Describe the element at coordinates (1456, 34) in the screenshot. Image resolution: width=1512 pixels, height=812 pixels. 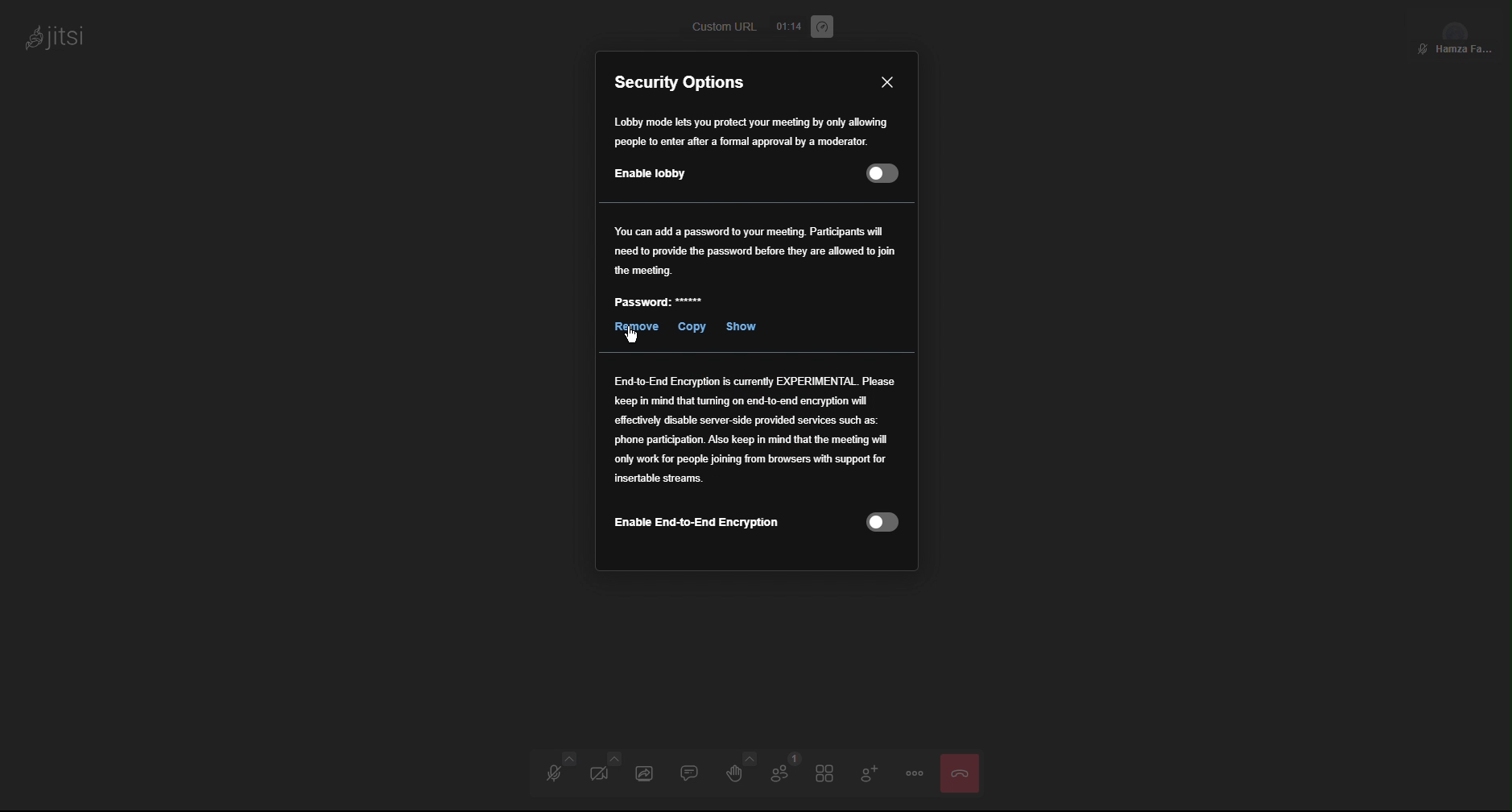
I see `Participant View` at that location.